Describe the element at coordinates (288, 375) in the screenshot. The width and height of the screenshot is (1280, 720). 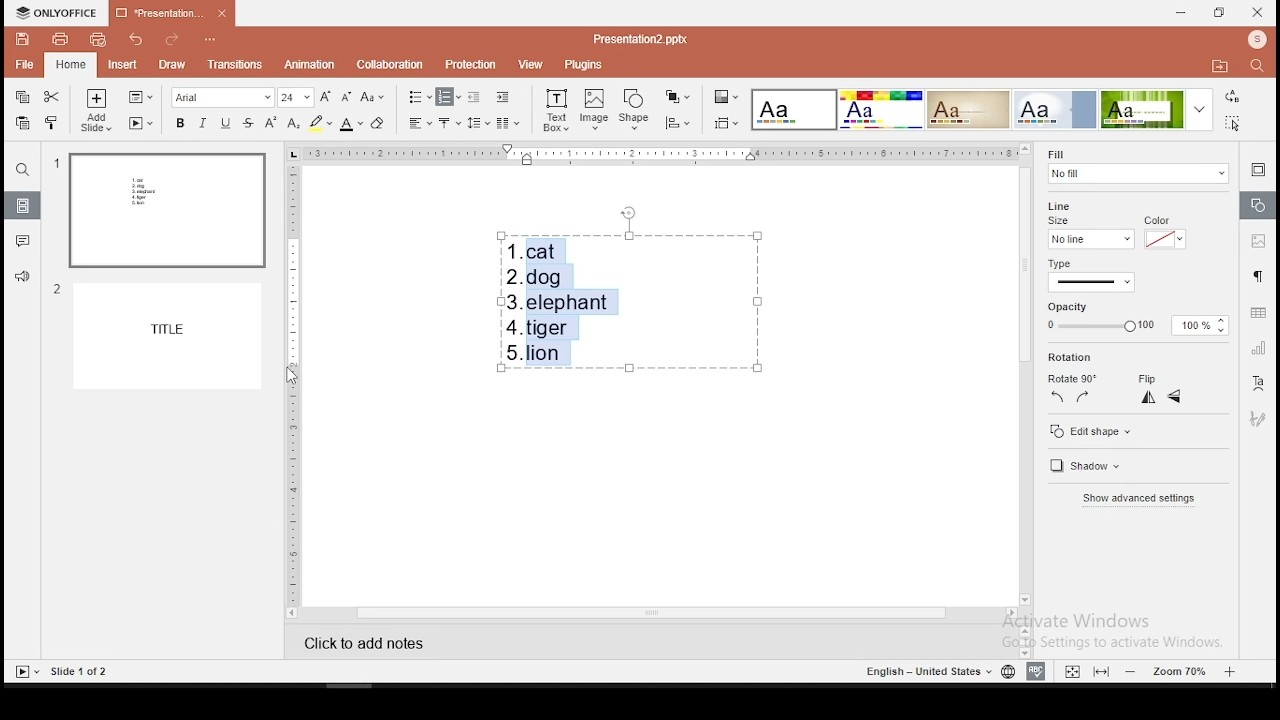
I see `mouse pointer` at that location.